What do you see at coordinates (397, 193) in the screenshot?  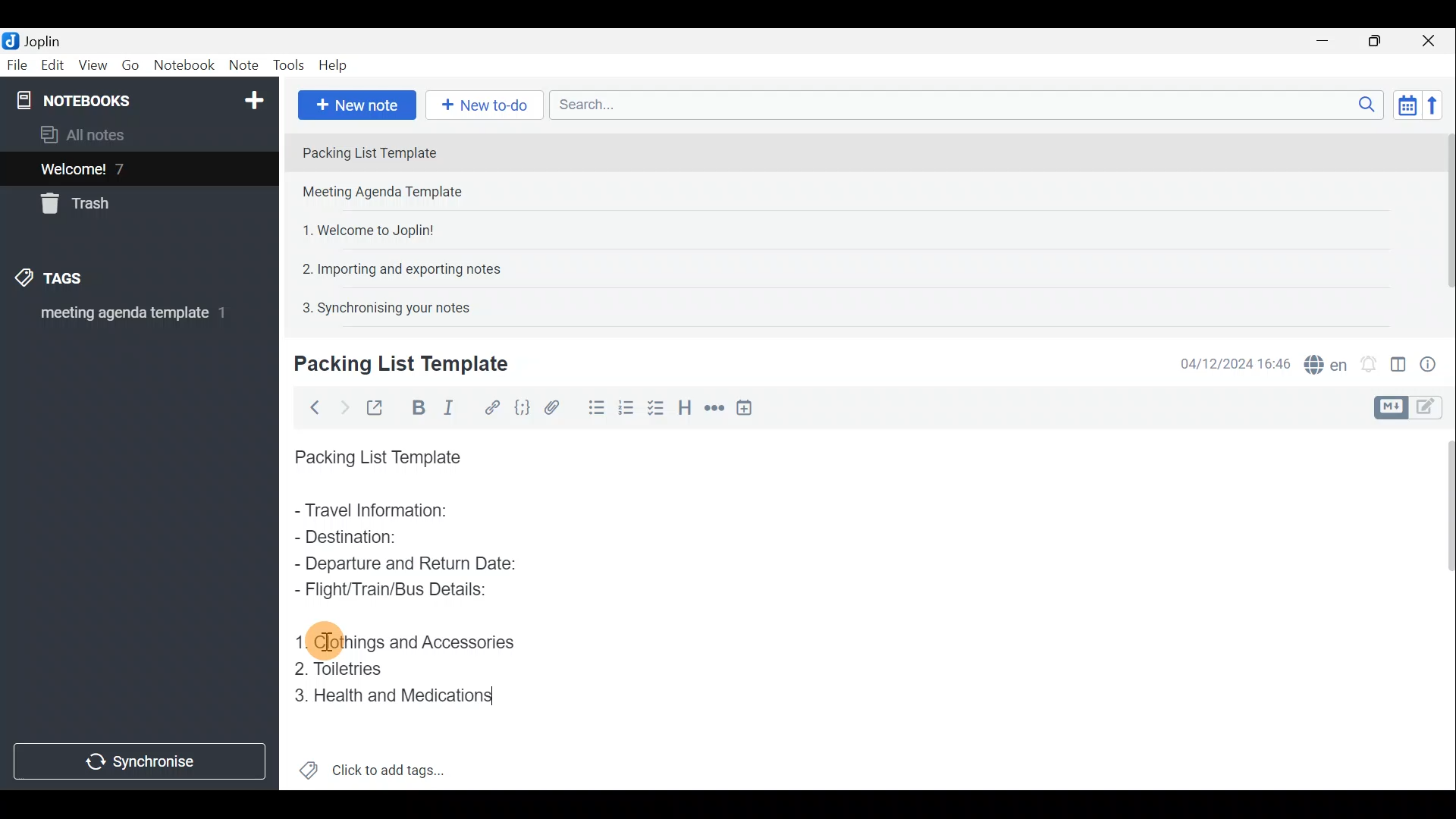 I see `Note 2` at bounding box center [397, 193].